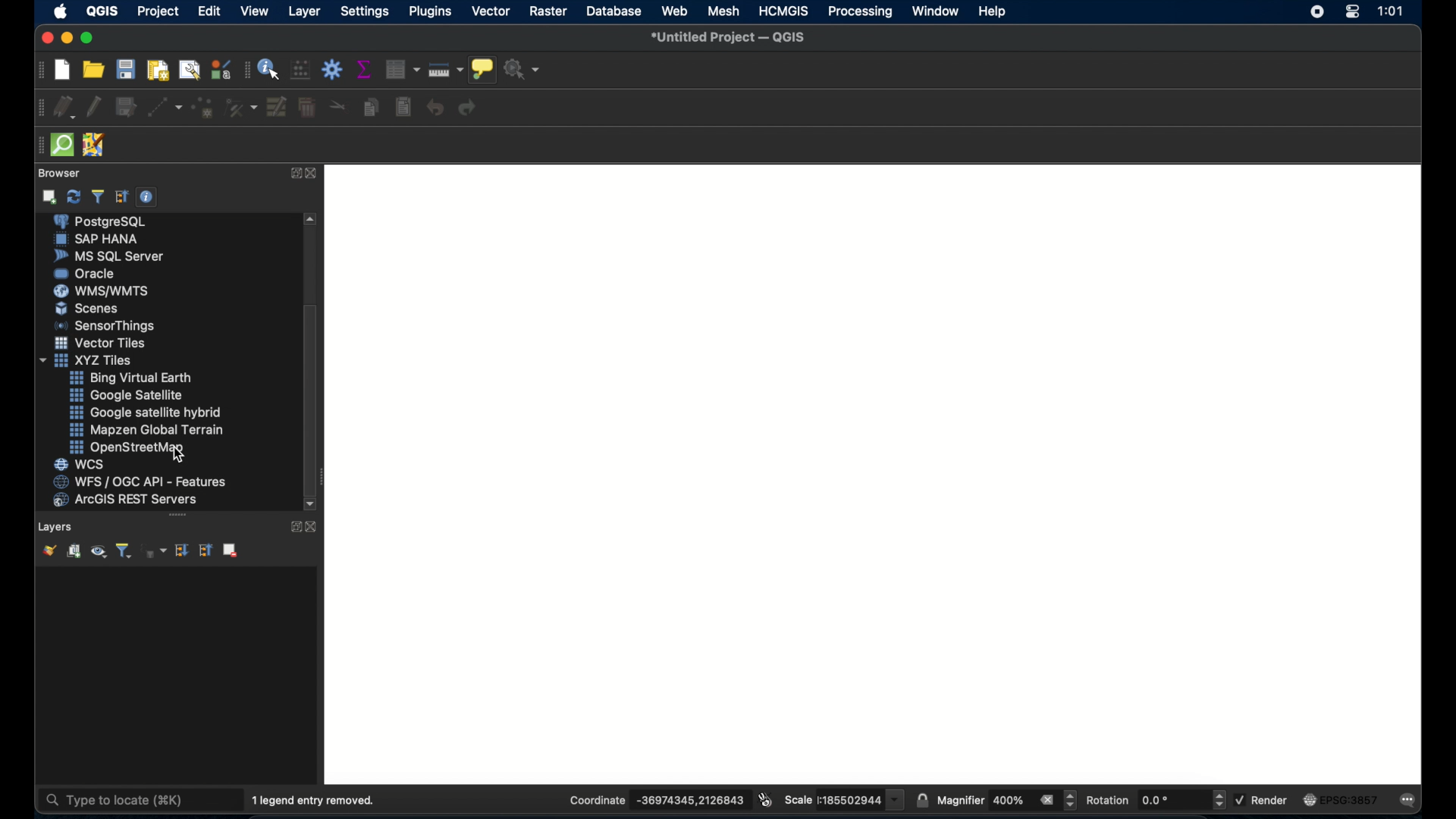 The image size is (1456, 819). What do you see at coordinates (268, 71) in the screenshot?
I see `identify feature` at bounding box center [268, 71].